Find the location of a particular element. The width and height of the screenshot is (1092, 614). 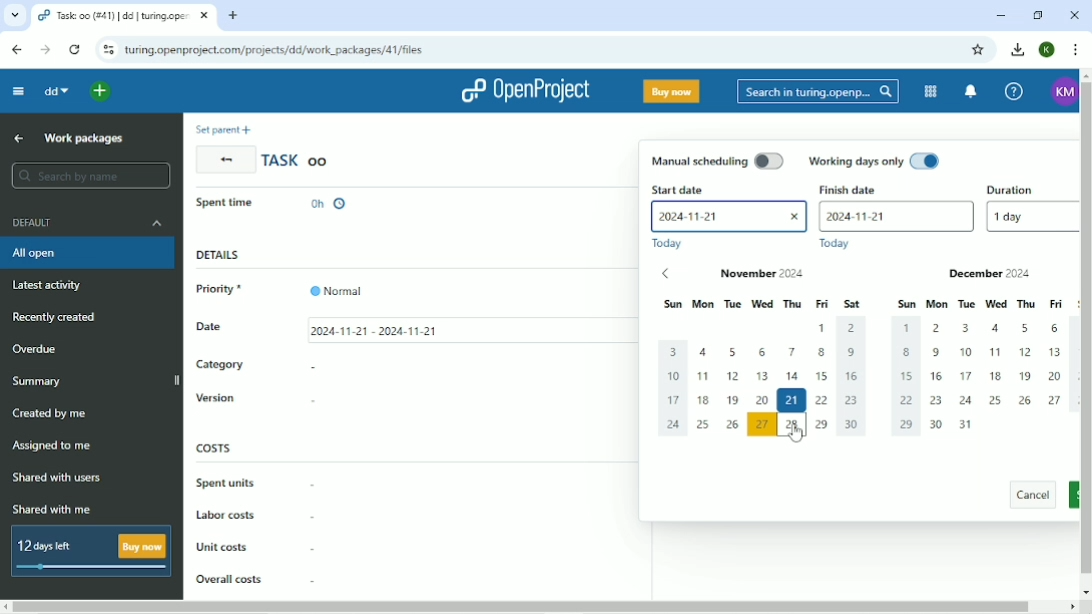

Today is located at coordinates (838, 244).